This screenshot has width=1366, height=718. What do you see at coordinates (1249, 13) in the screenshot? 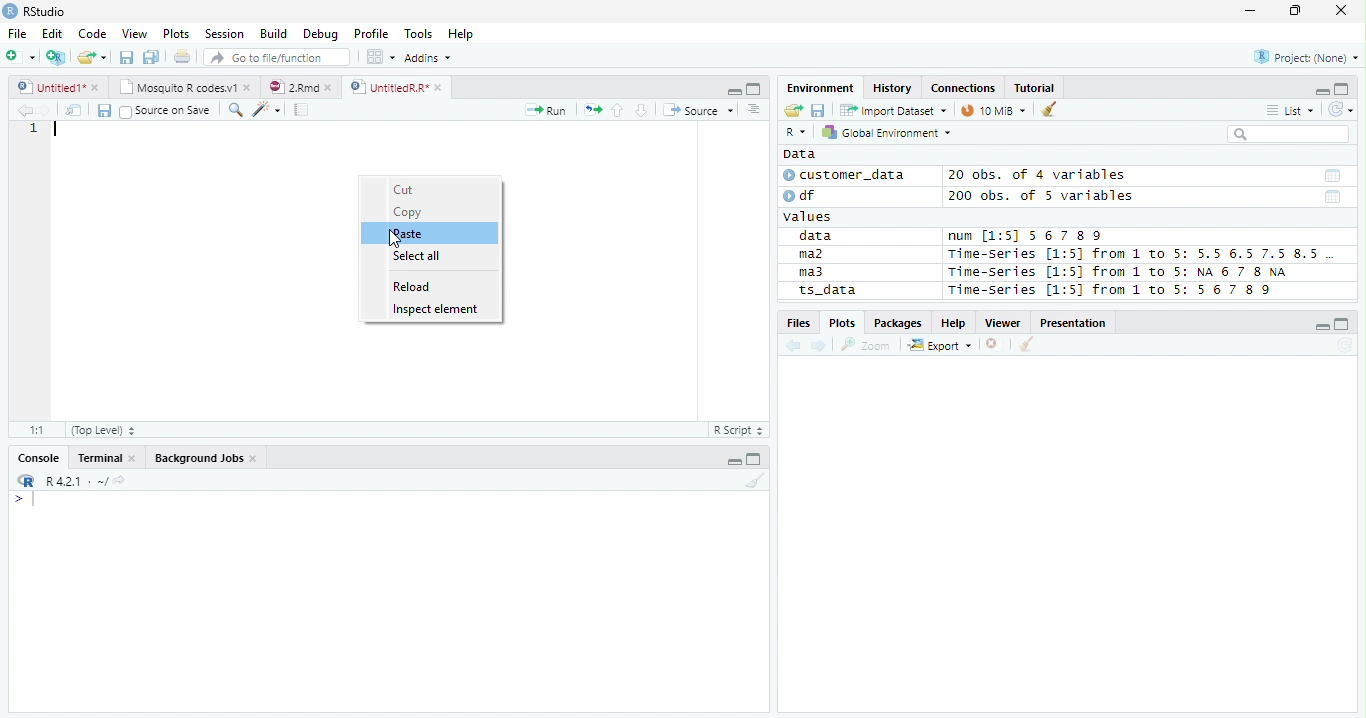
I see `Minimize` at bounding box center [1249, 13].